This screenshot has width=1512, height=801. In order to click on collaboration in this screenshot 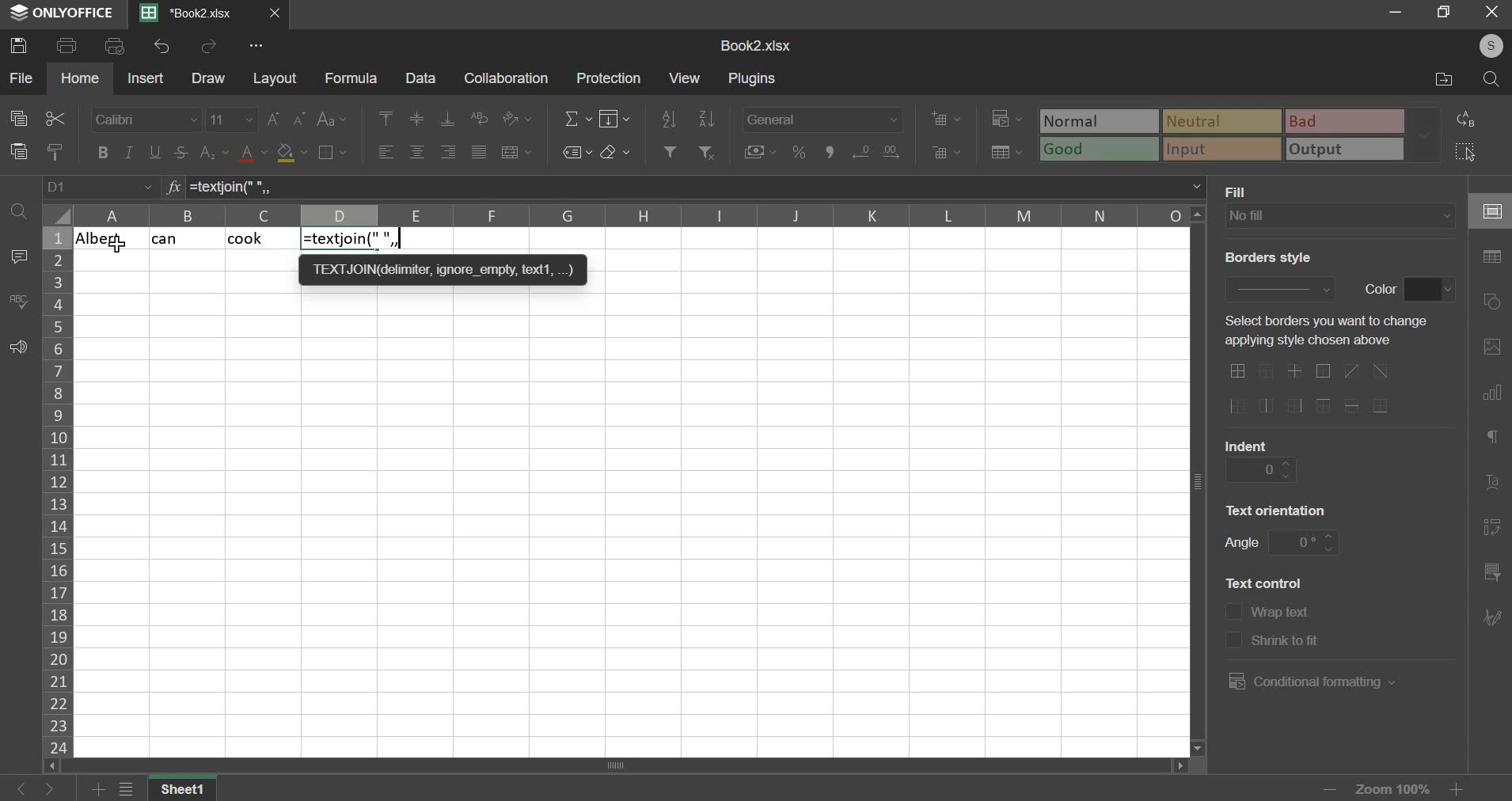, I will do `click(507, 79)`.